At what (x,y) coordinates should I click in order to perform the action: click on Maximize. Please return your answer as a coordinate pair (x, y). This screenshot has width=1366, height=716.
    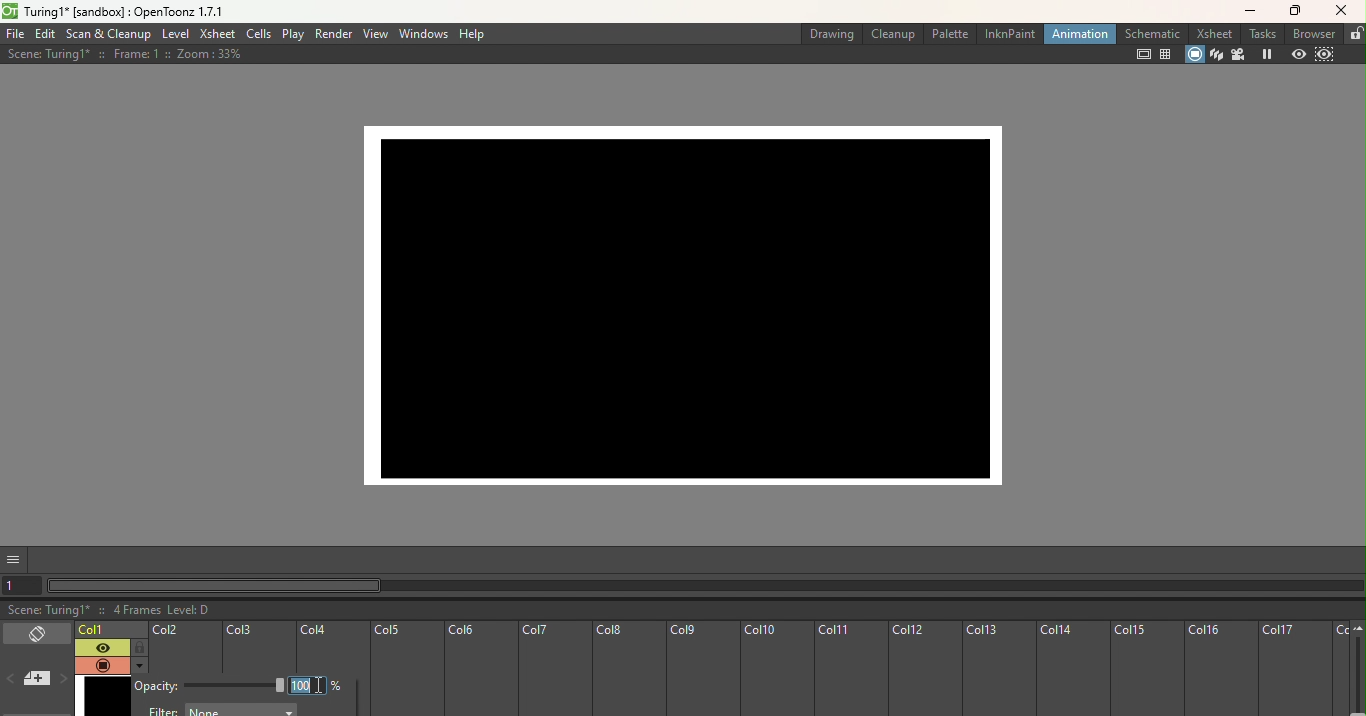
    Looking at the image, I should click on (1299, 10).